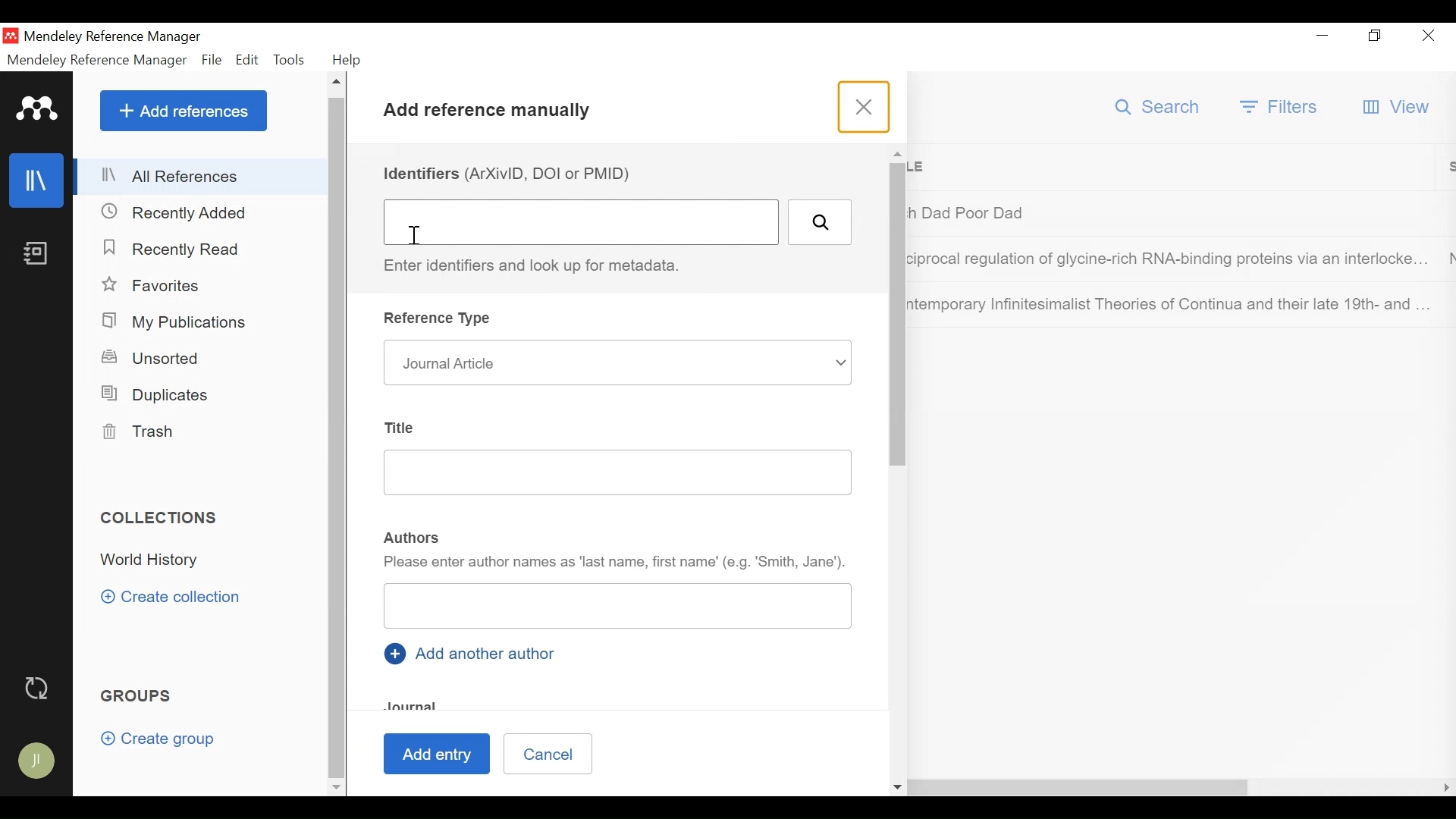 Image resolution: width=1456 pixels, height=819 pixels. Describe the element at coordinates (208, 561) in the screenshot. I see `Collection` at that location.